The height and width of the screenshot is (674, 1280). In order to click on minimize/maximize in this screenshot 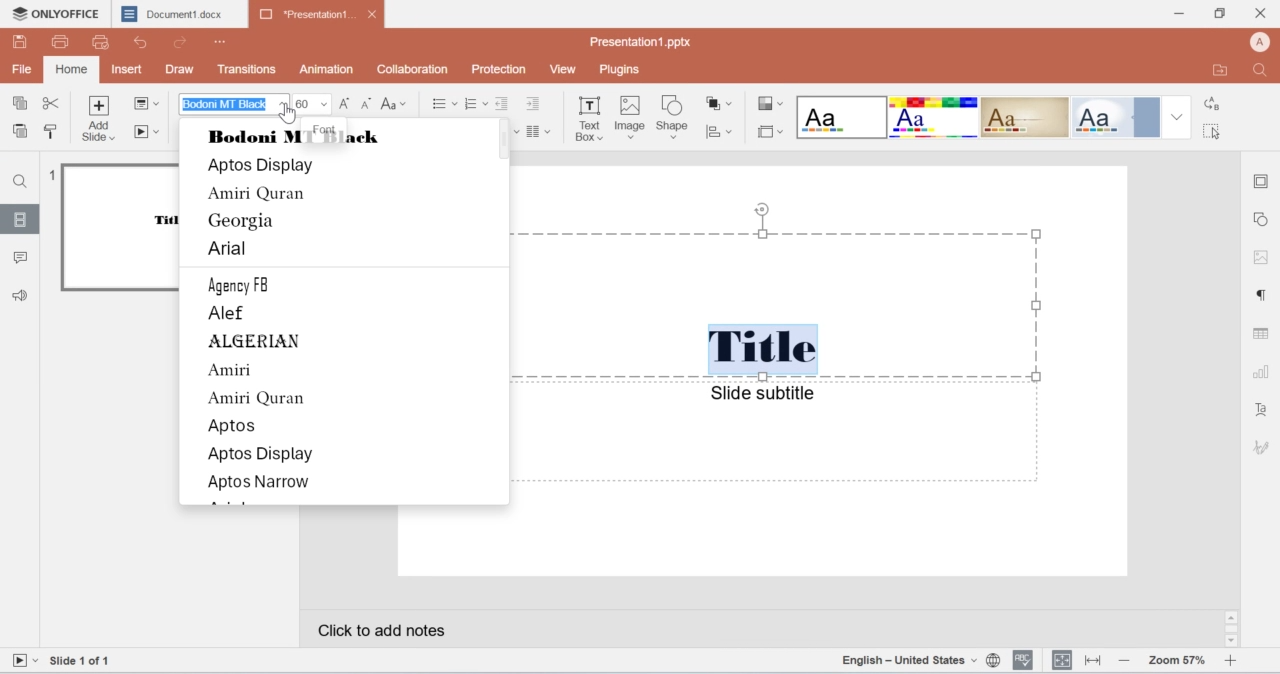, I will do `click(1218, 14)`.